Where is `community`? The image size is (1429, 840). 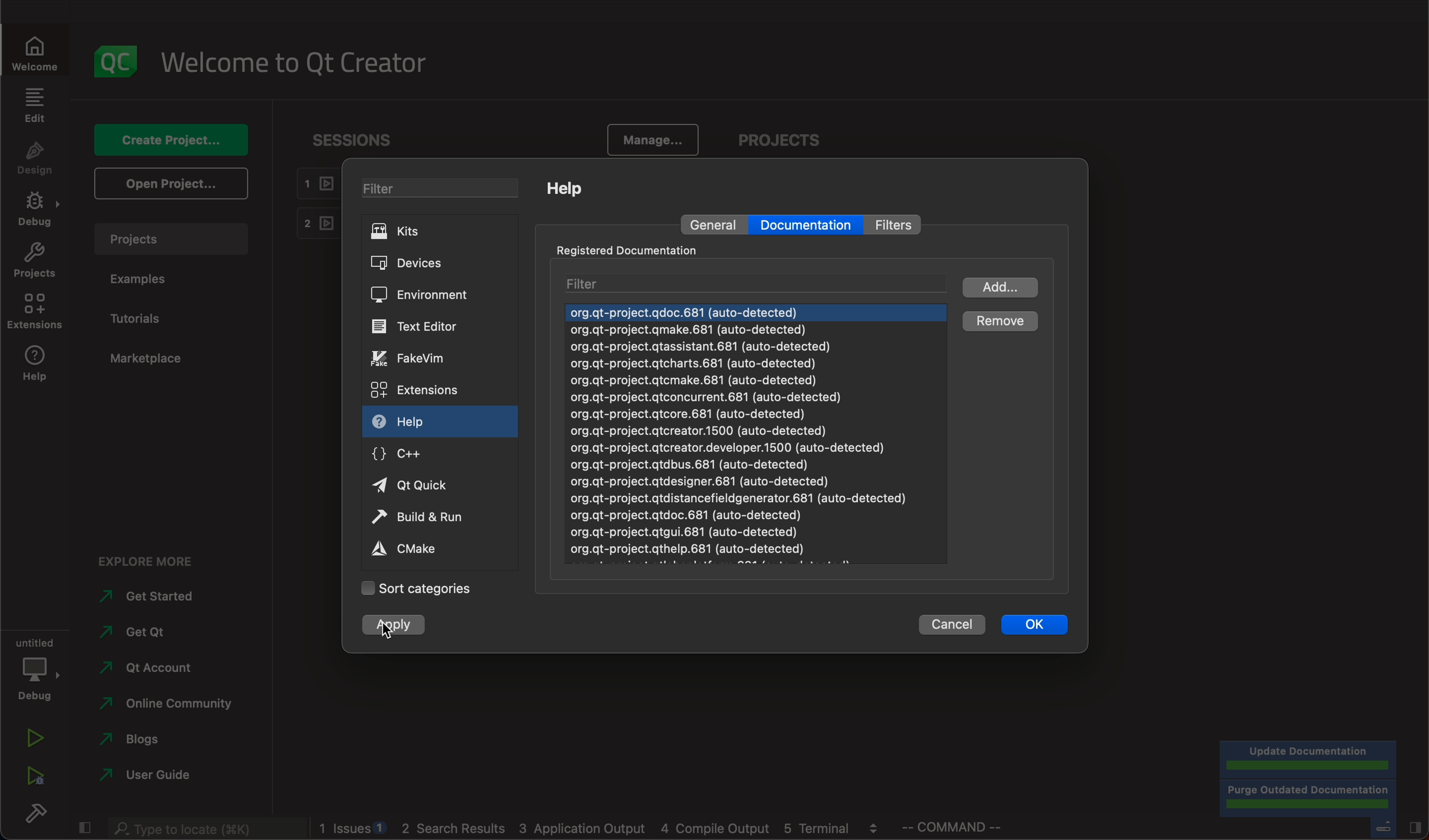
community is located at coordinates (166, 706).